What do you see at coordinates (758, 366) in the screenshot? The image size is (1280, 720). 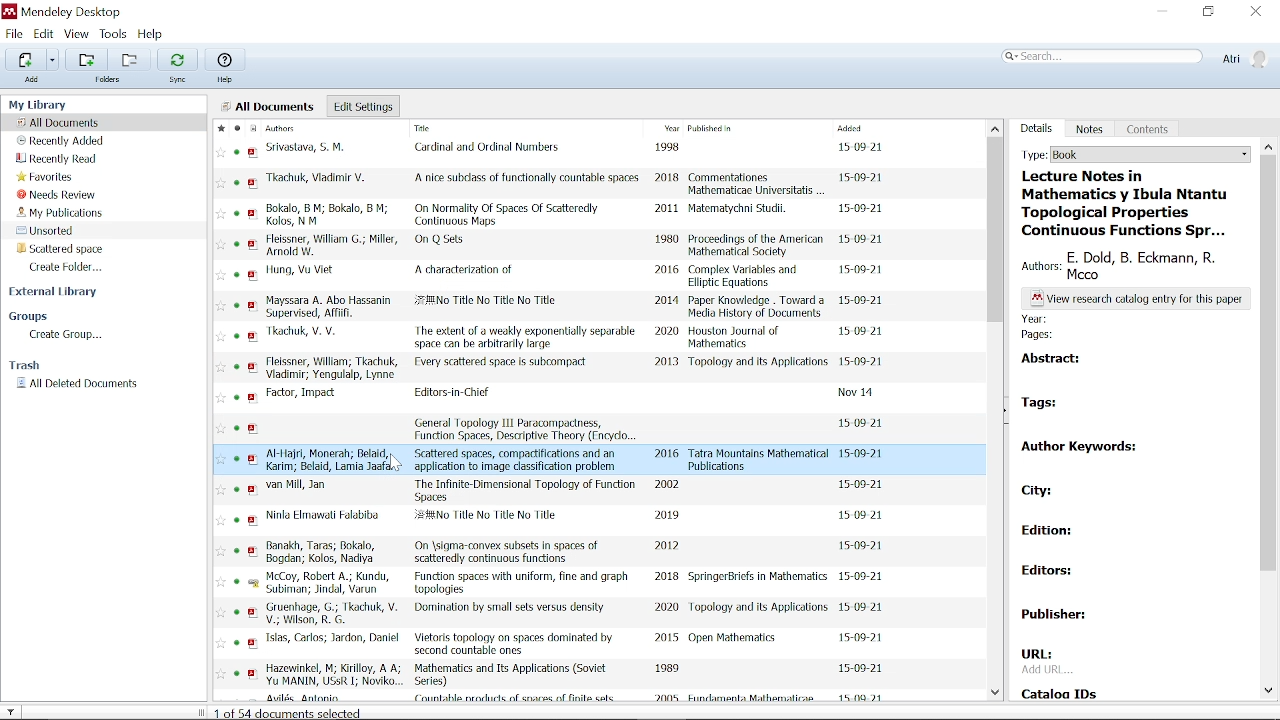 I see `Topology and its Applications` at bounding box center [758, 366].